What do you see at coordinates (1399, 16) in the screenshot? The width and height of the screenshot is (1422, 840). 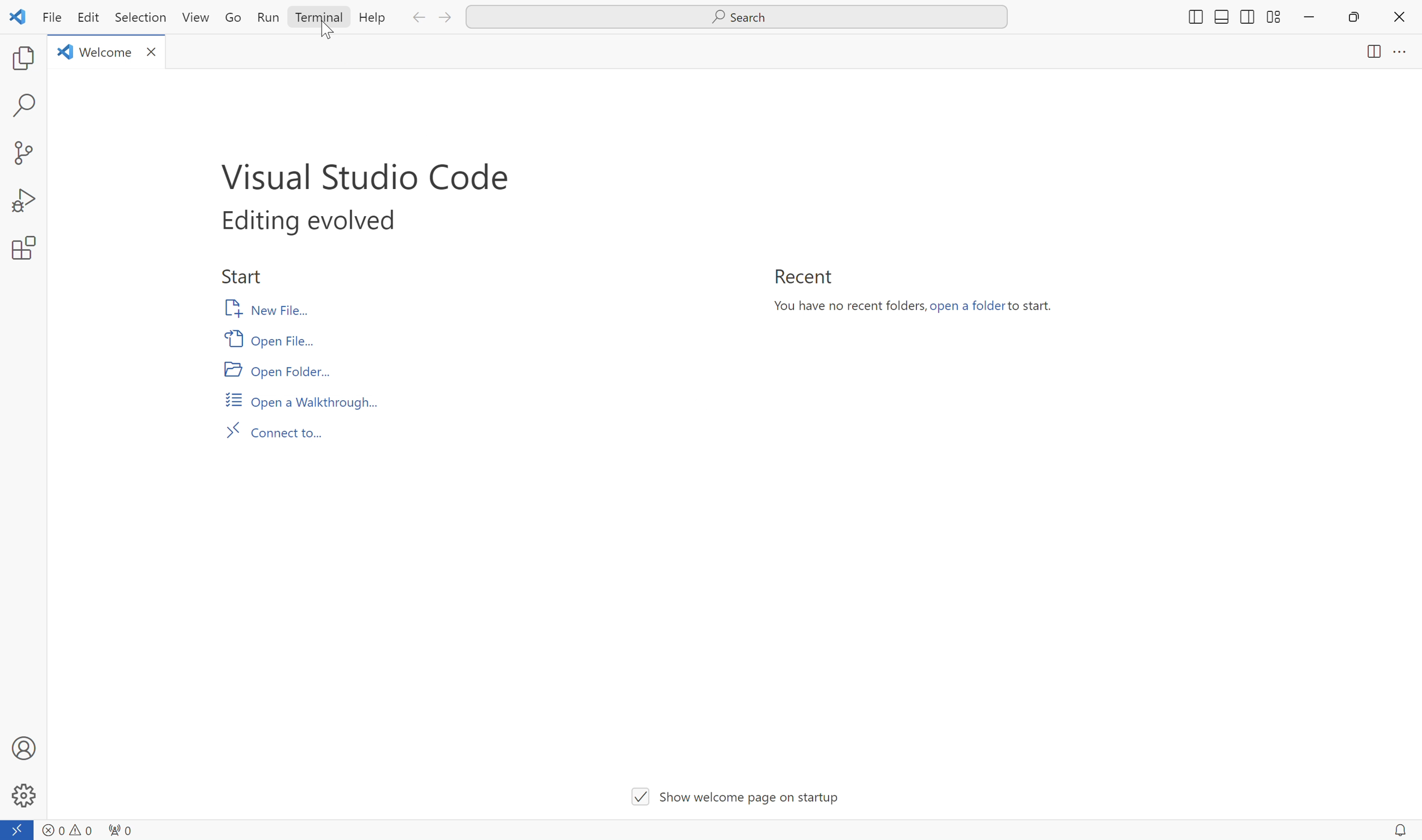 I see `close` at bounding box center [1399, 16].